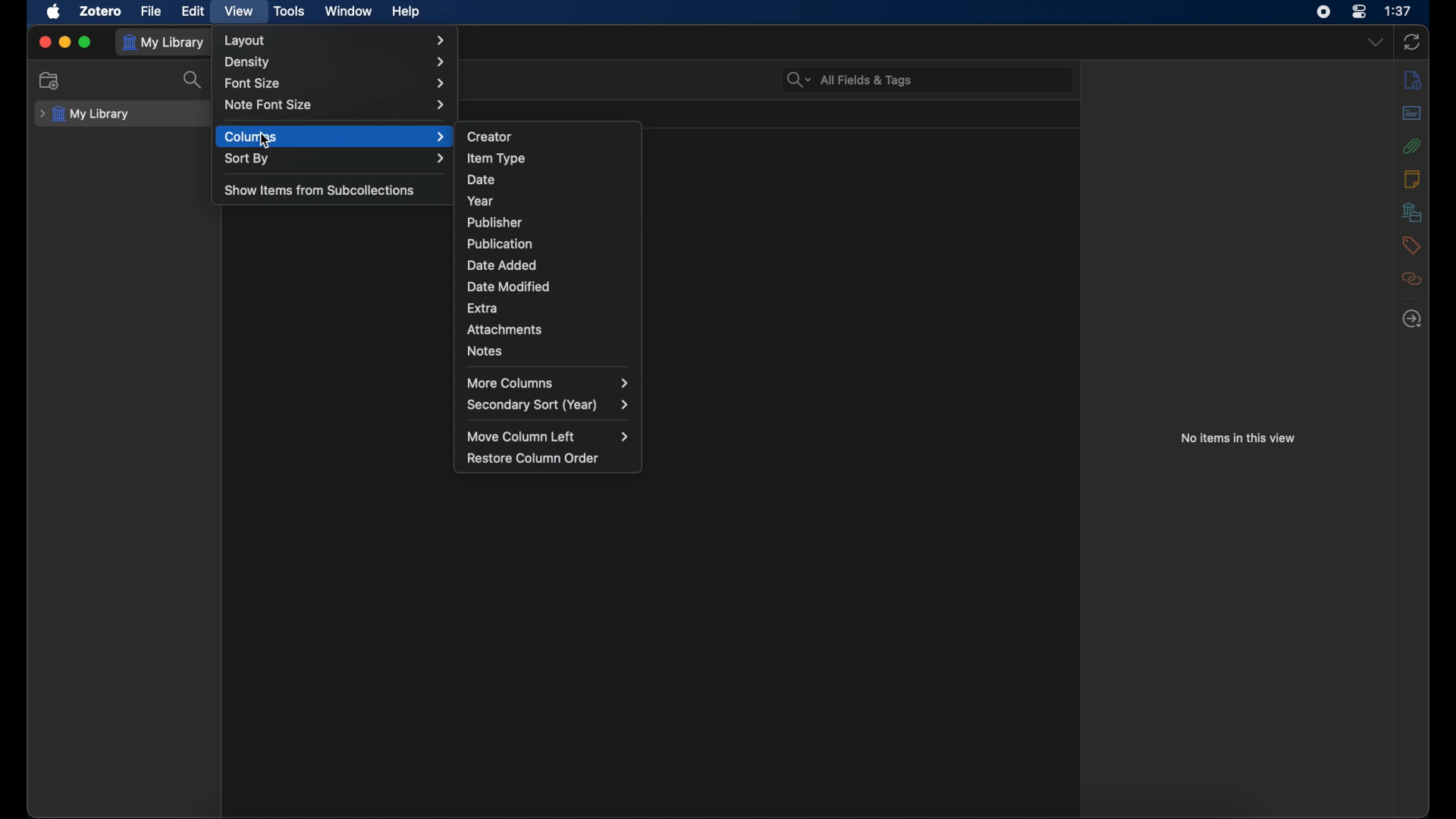  Describe the element at coordinates (102, 11) in the screenshot. I see `zotero` at that location.